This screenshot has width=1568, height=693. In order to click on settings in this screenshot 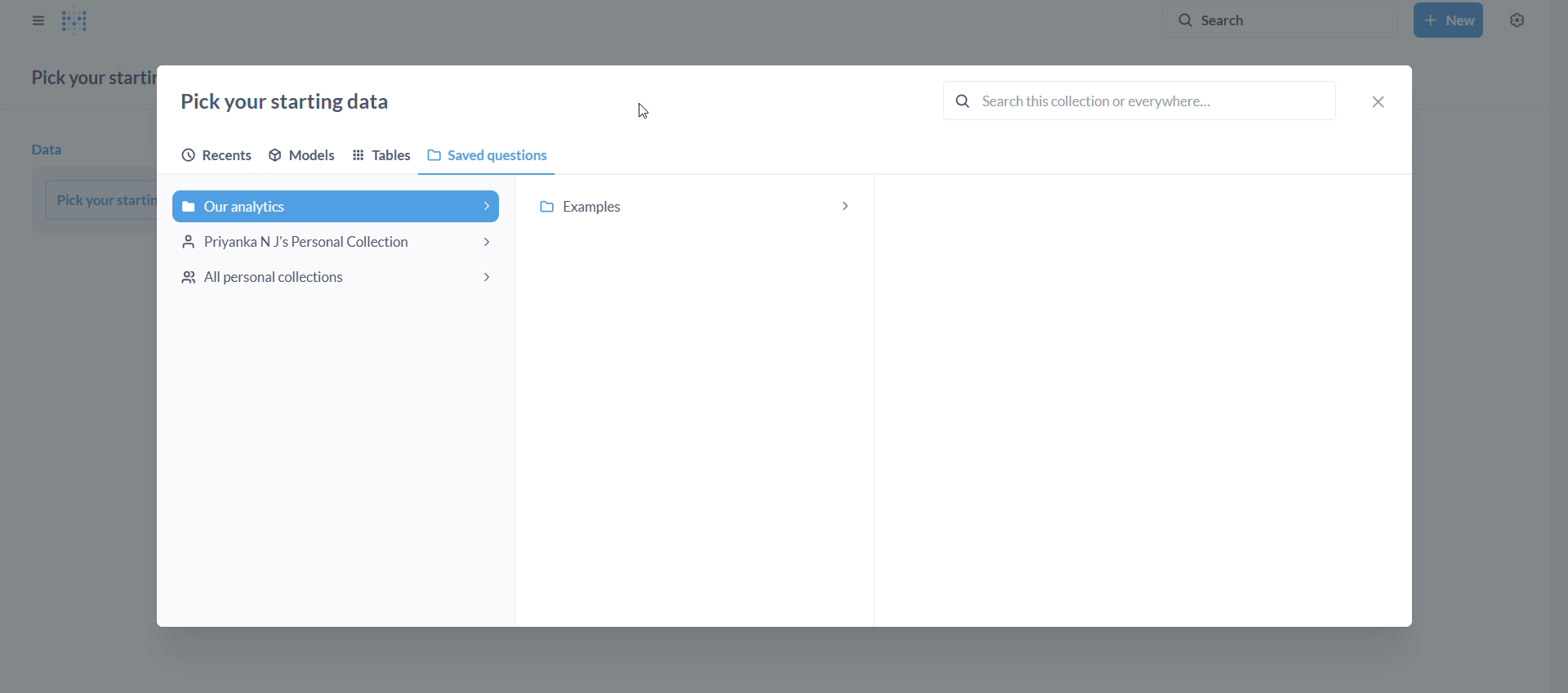, I will do `click(1517, 20)`.